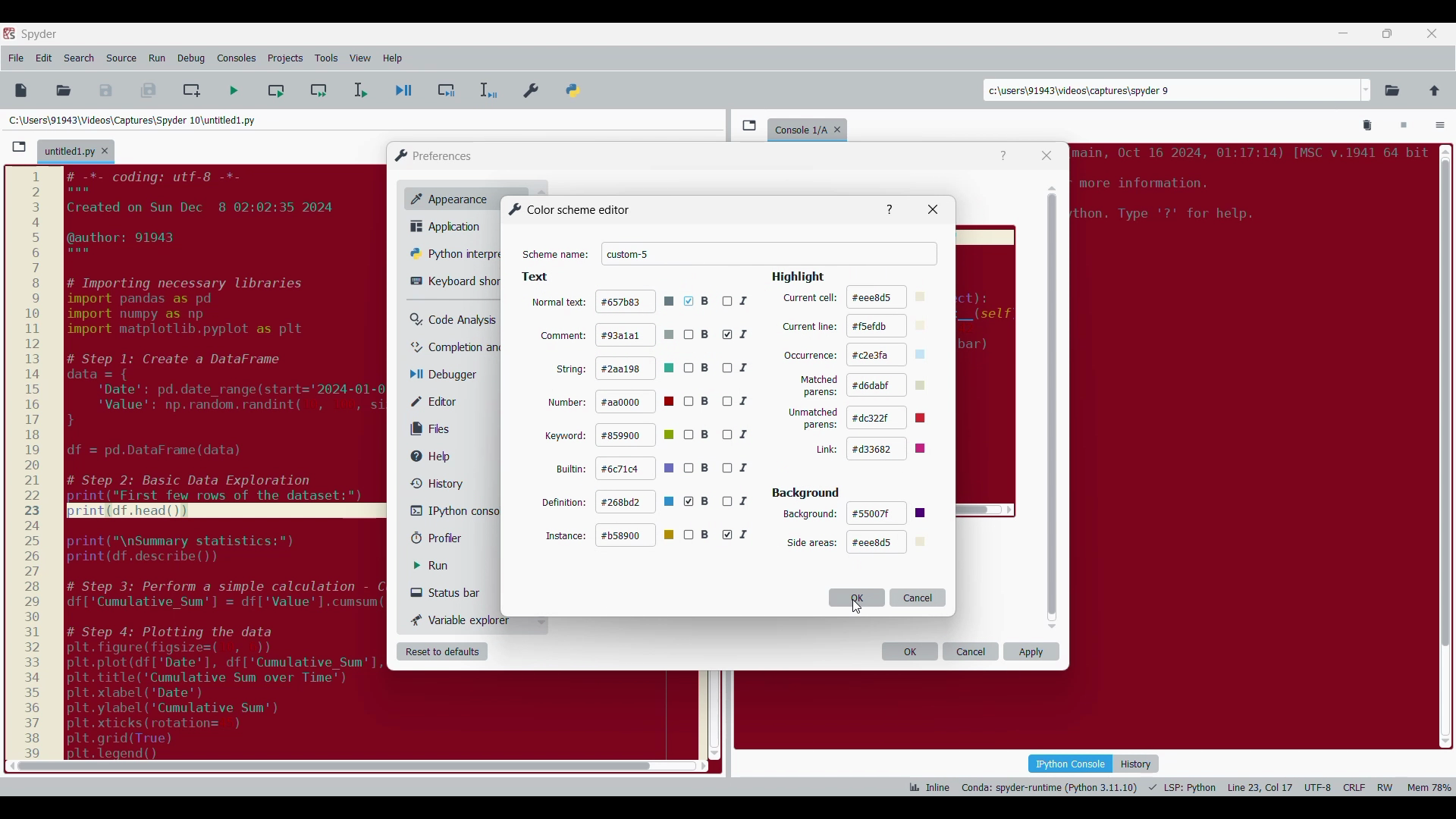 This screenshot has height=819, width=1456. Describe the element at coordinates (770, 254) in the screenshot. I see `Scheme name` at that location.